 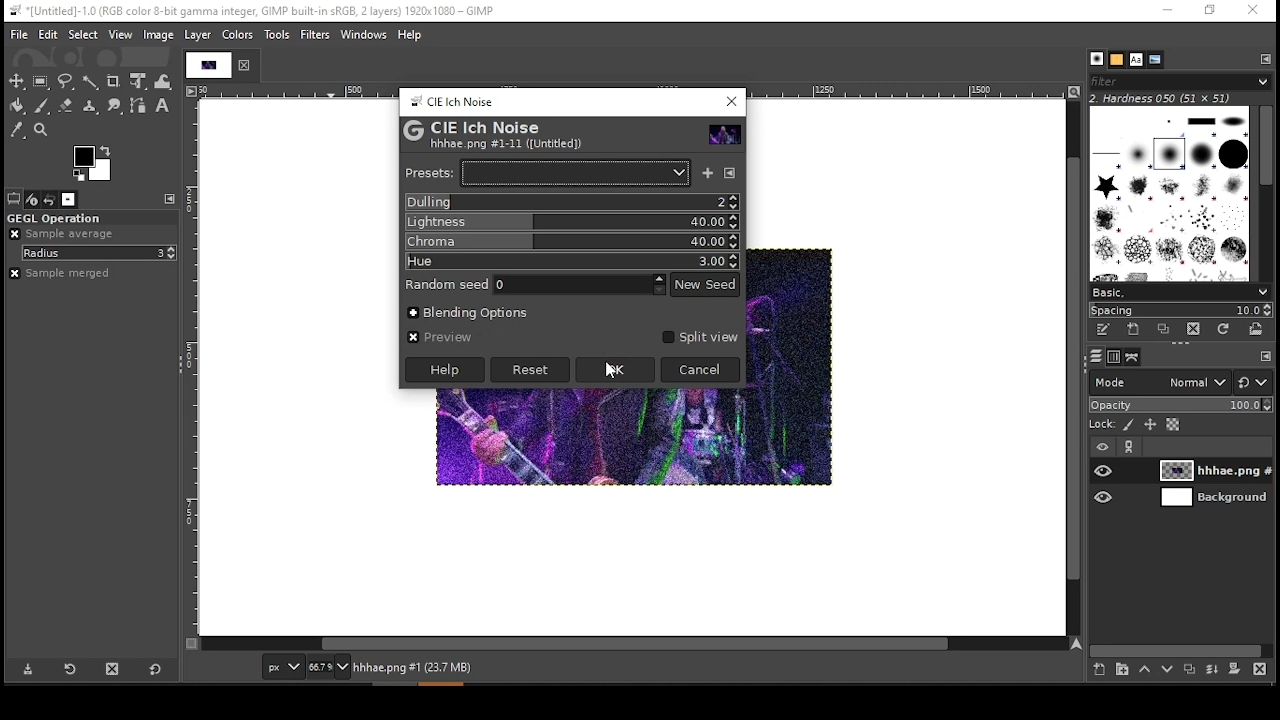 What do you see at coordinates (1075, 369) in the screenshot?
I see `vertical scroll bar` at bounding box center [1075, 369].